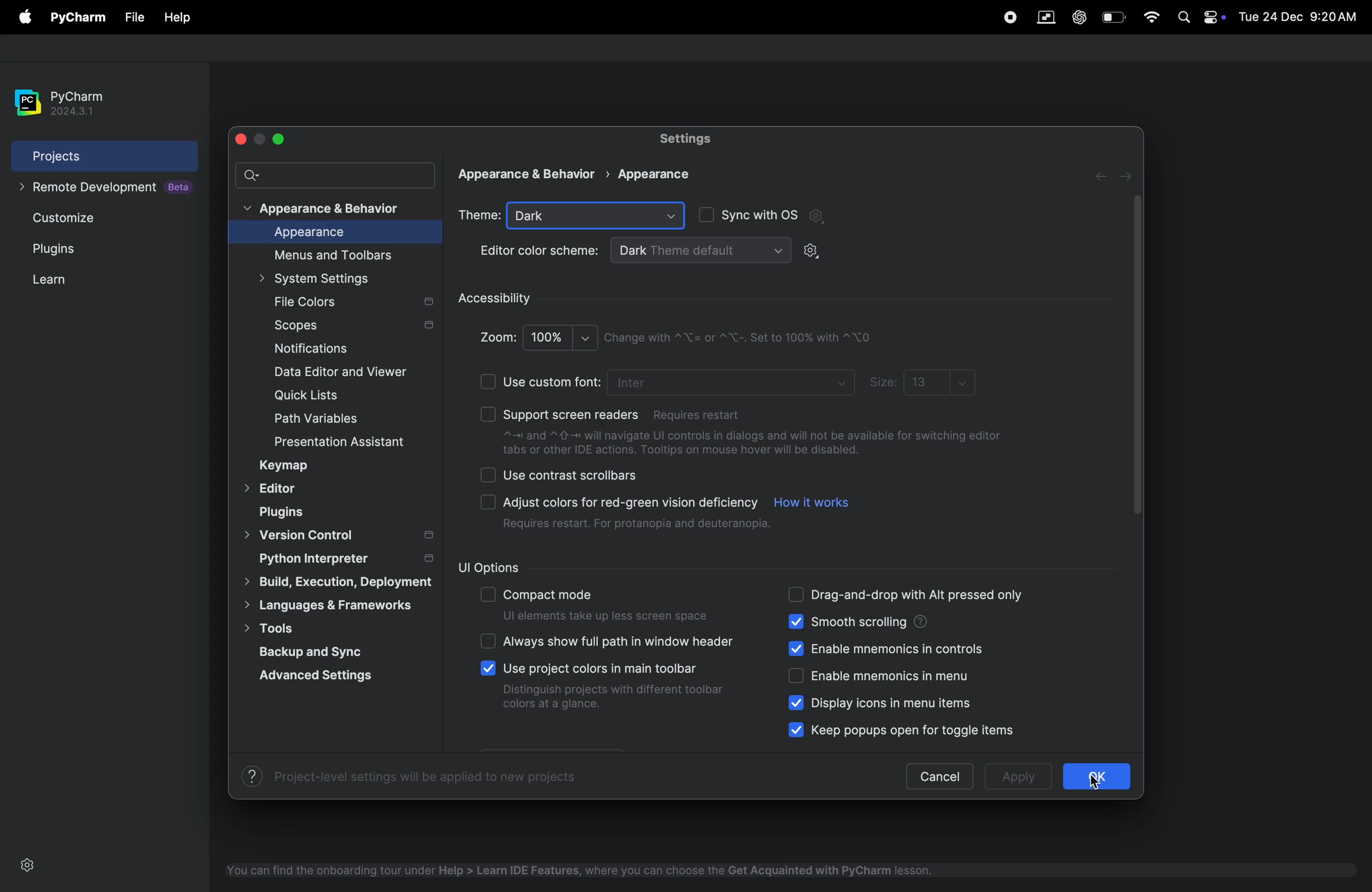 The width and height of the screenshot is (1372, 892). Describe the element at coordinates (340, 255) in the screenshot. I see `menus and toolbar` at that location.